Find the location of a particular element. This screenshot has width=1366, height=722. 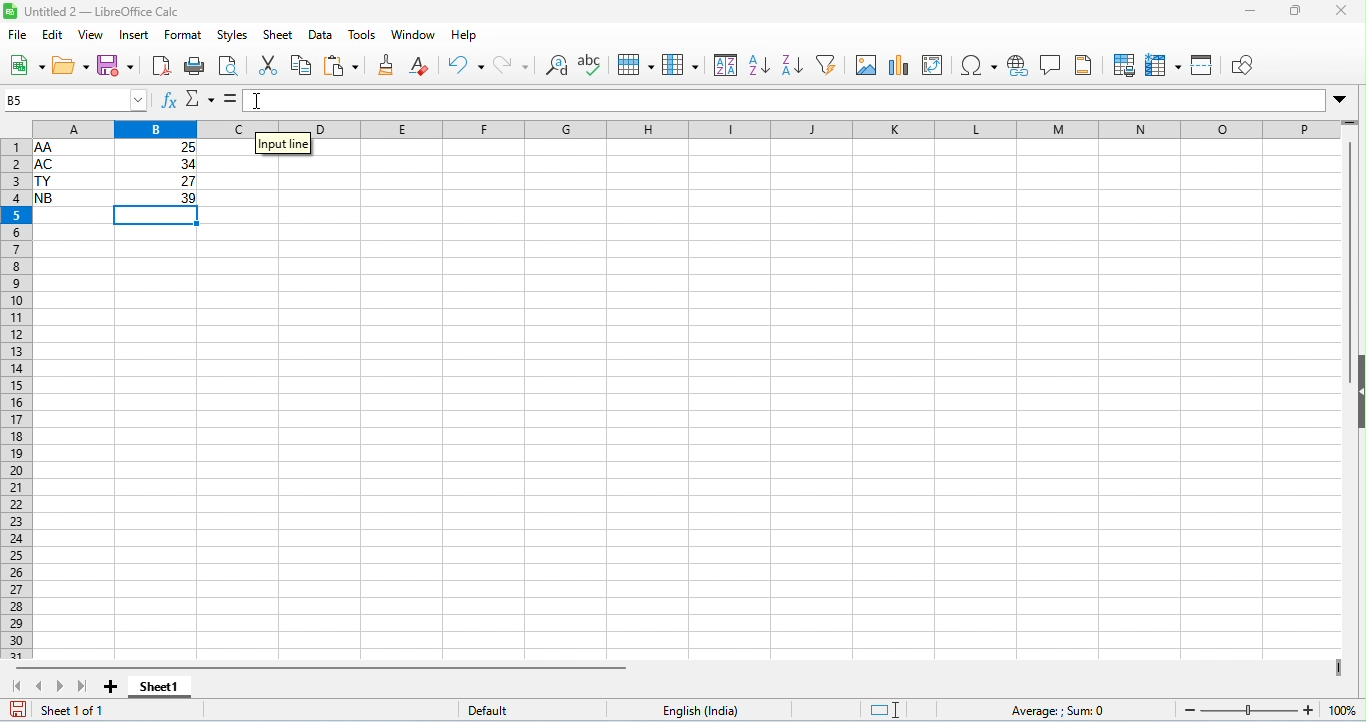

open is located at coordinates (73, 68).